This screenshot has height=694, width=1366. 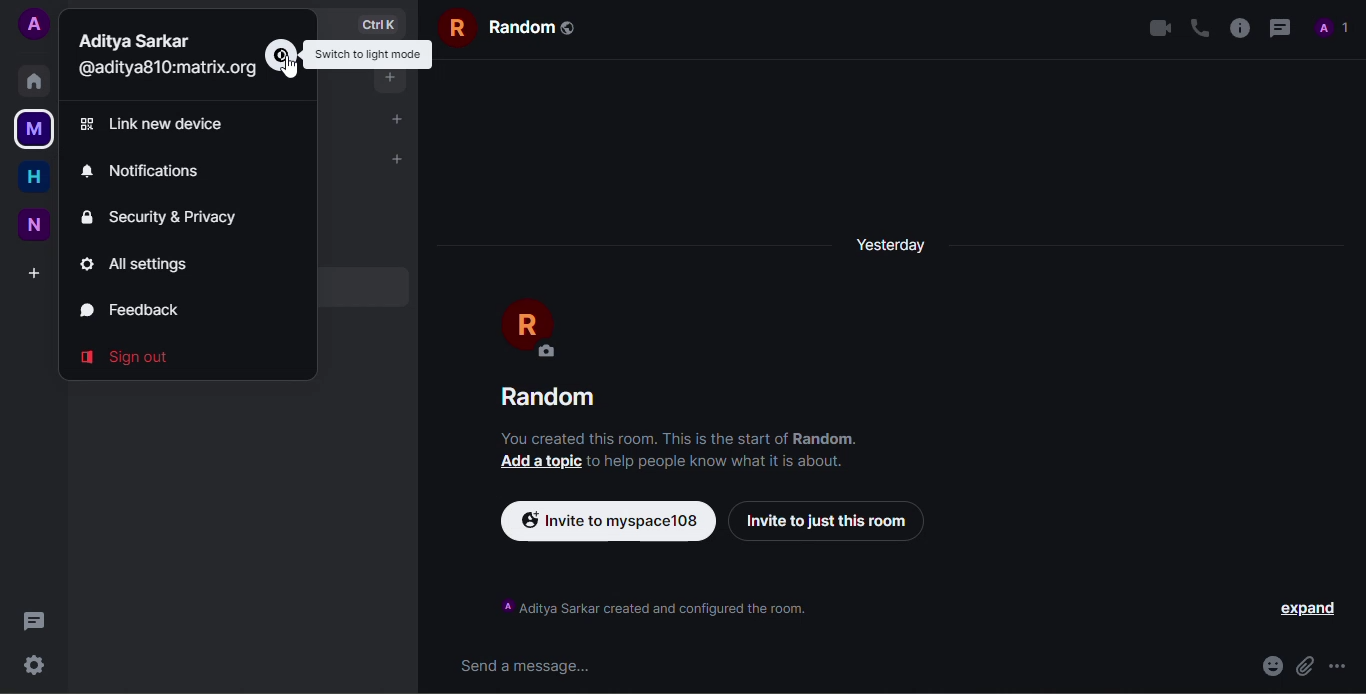 I want to click on info, so click(x=652, y=605).